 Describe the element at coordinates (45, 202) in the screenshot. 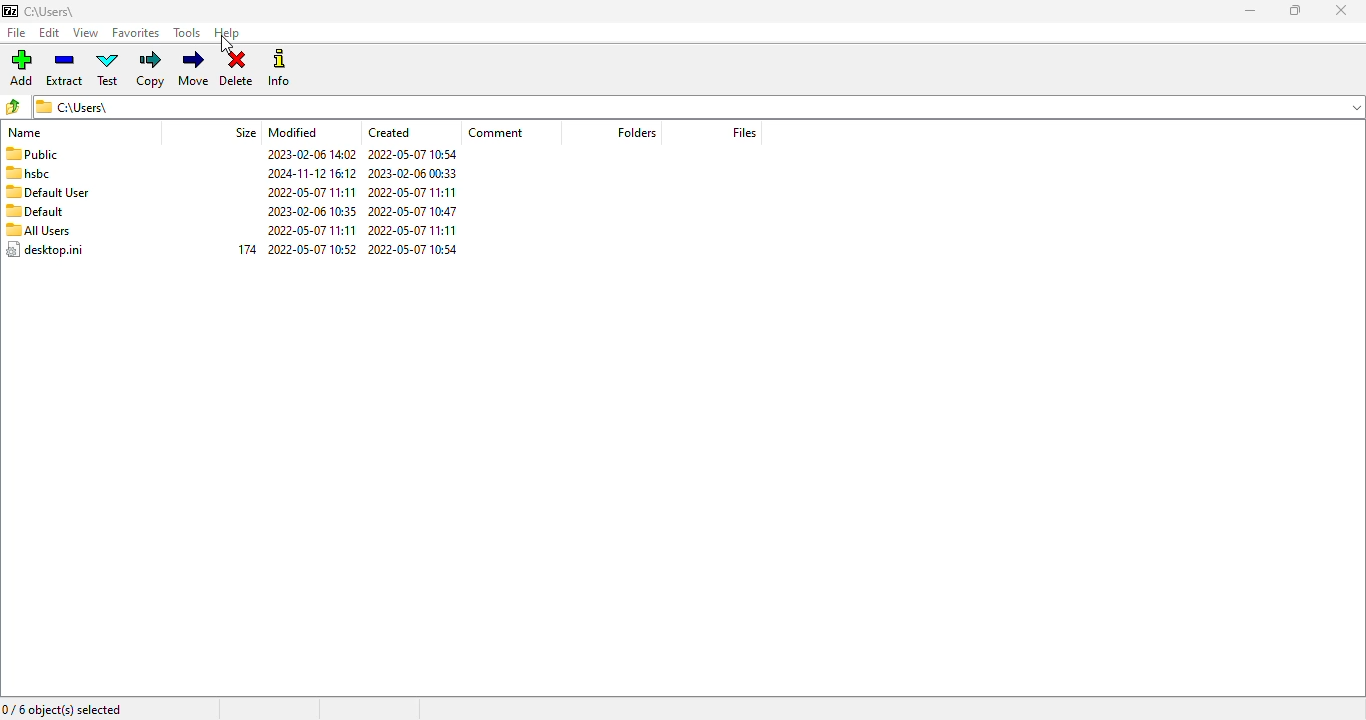

I see `folder names` at that location.